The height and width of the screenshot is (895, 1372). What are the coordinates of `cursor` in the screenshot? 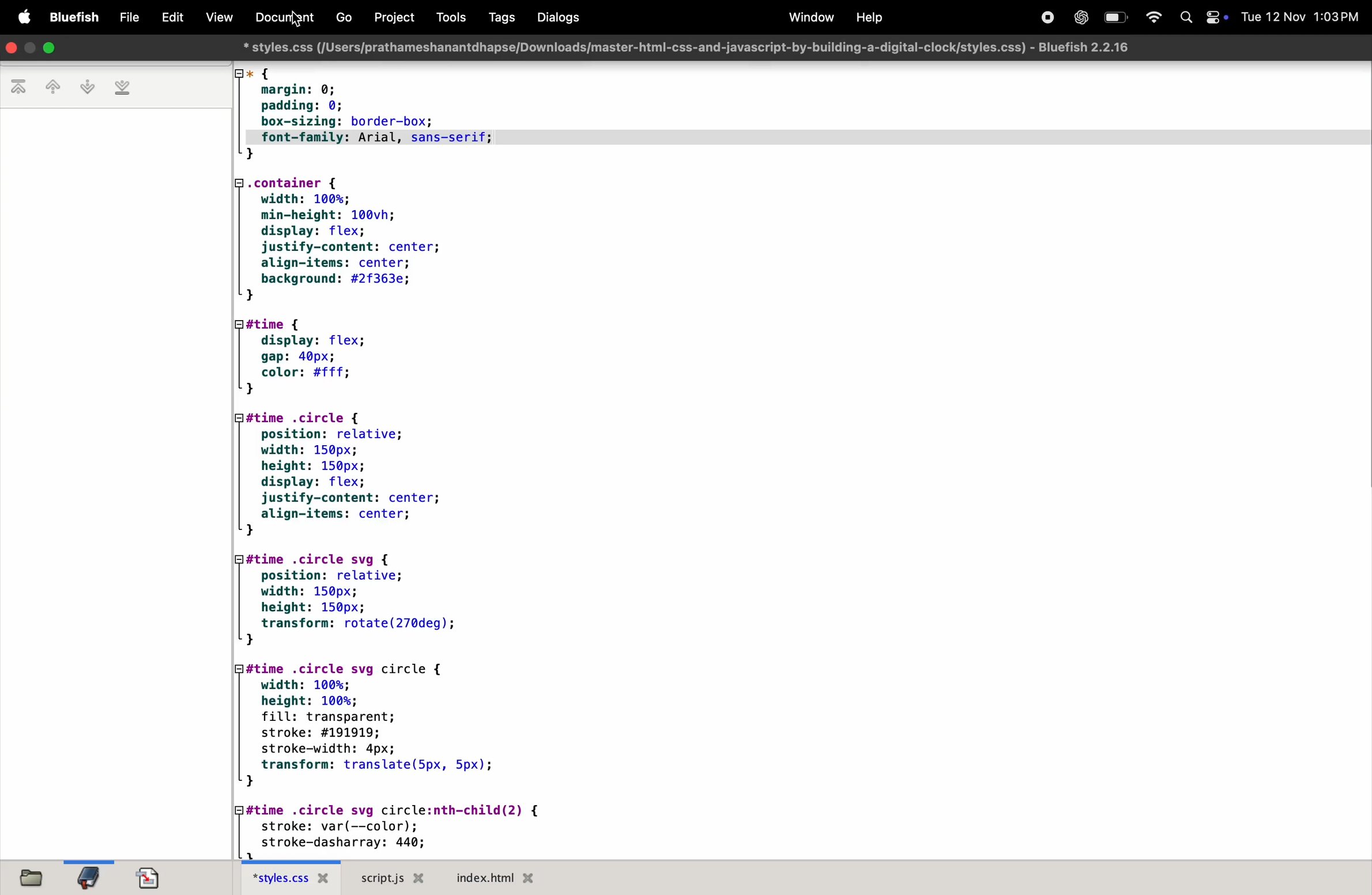 It's located at (298, 21).